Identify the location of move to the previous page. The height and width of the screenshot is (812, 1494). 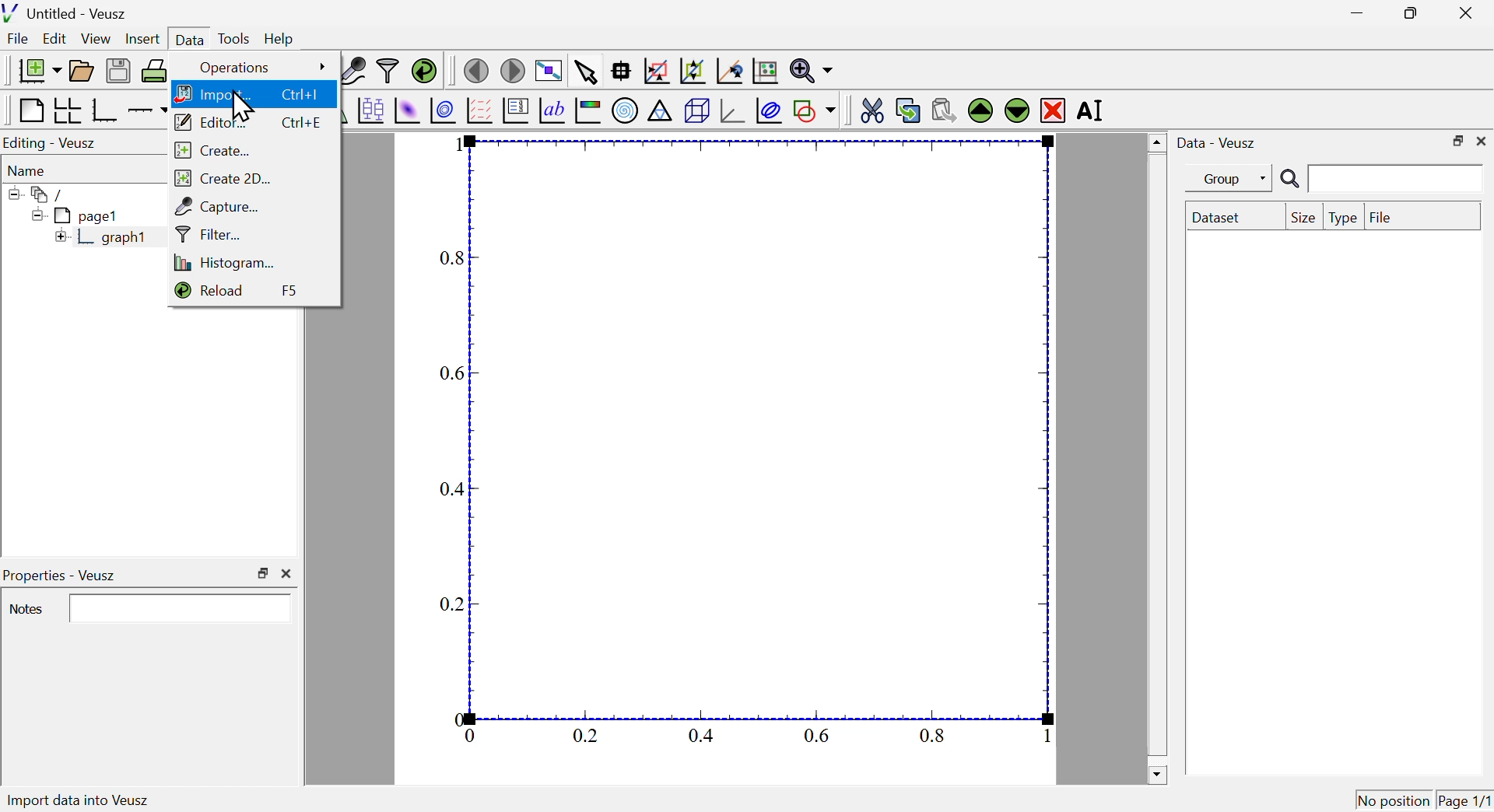
(475, 69).